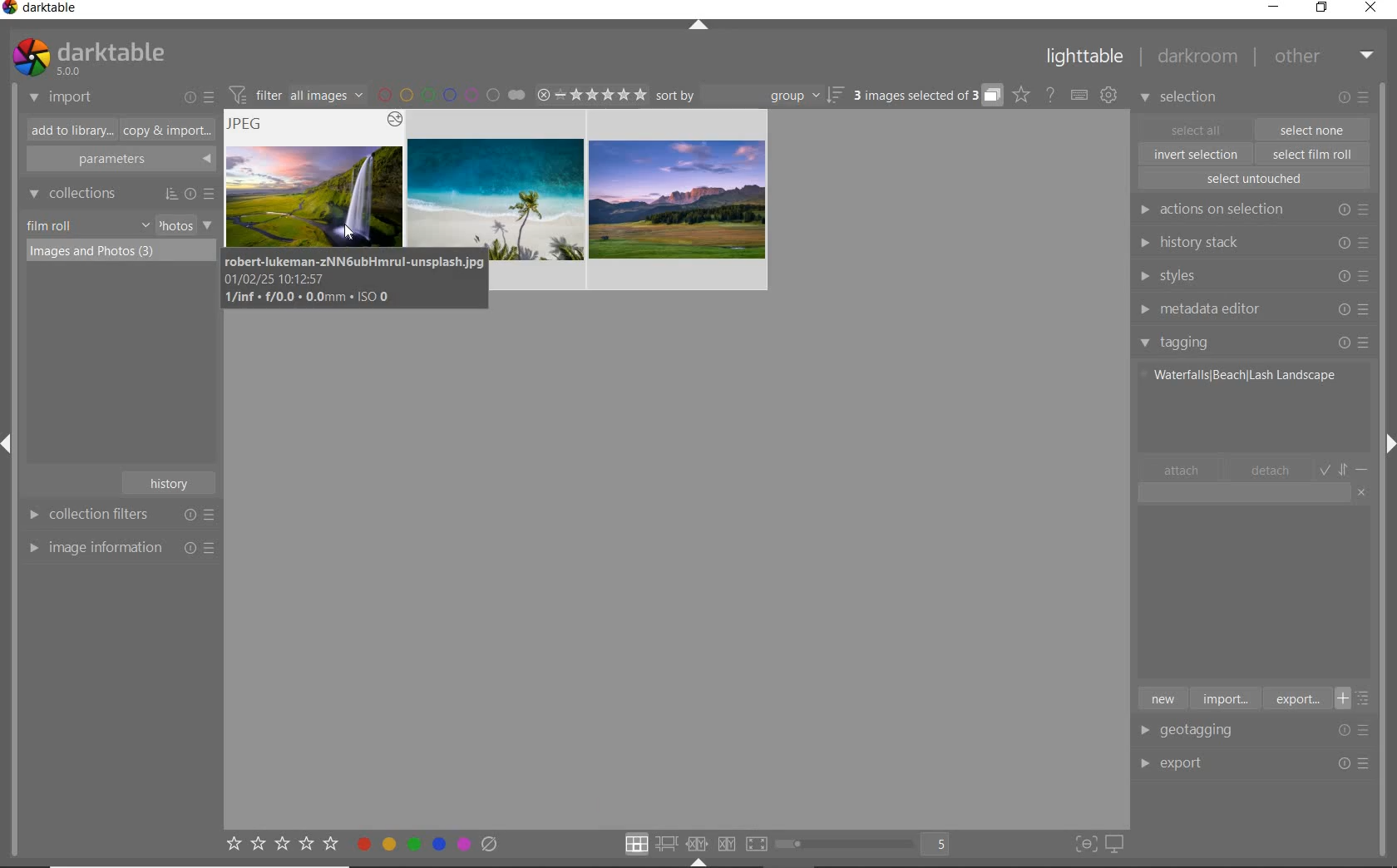 This screenshot has height=868, width=1397. What do you see at coordinates (750, 96) in the screenshot?
I see `sort` at bounding box center [750, 96].